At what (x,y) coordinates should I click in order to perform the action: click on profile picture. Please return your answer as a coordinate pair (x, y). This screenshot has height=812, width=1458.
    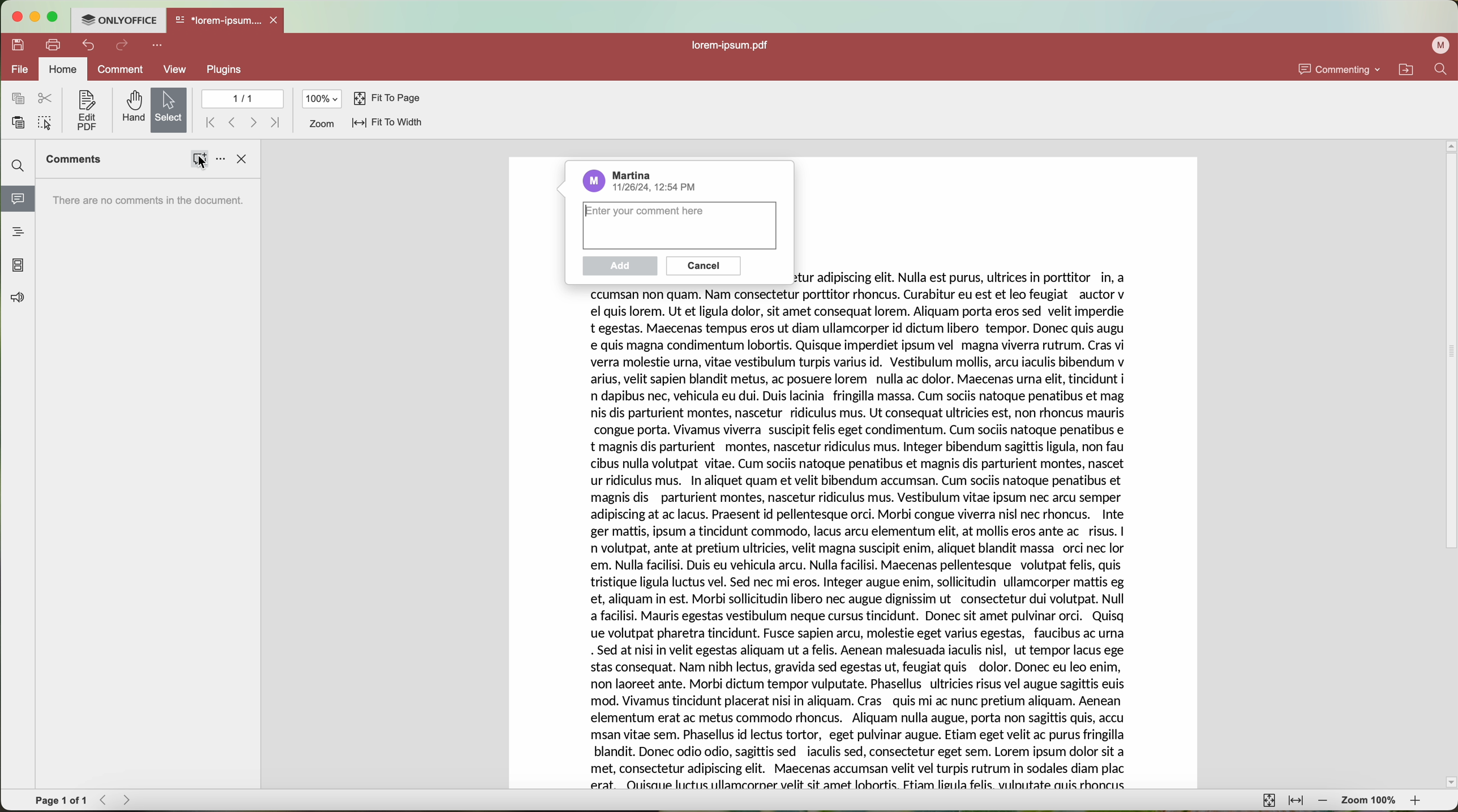
    Looking at the image, I should click on (593, 181).